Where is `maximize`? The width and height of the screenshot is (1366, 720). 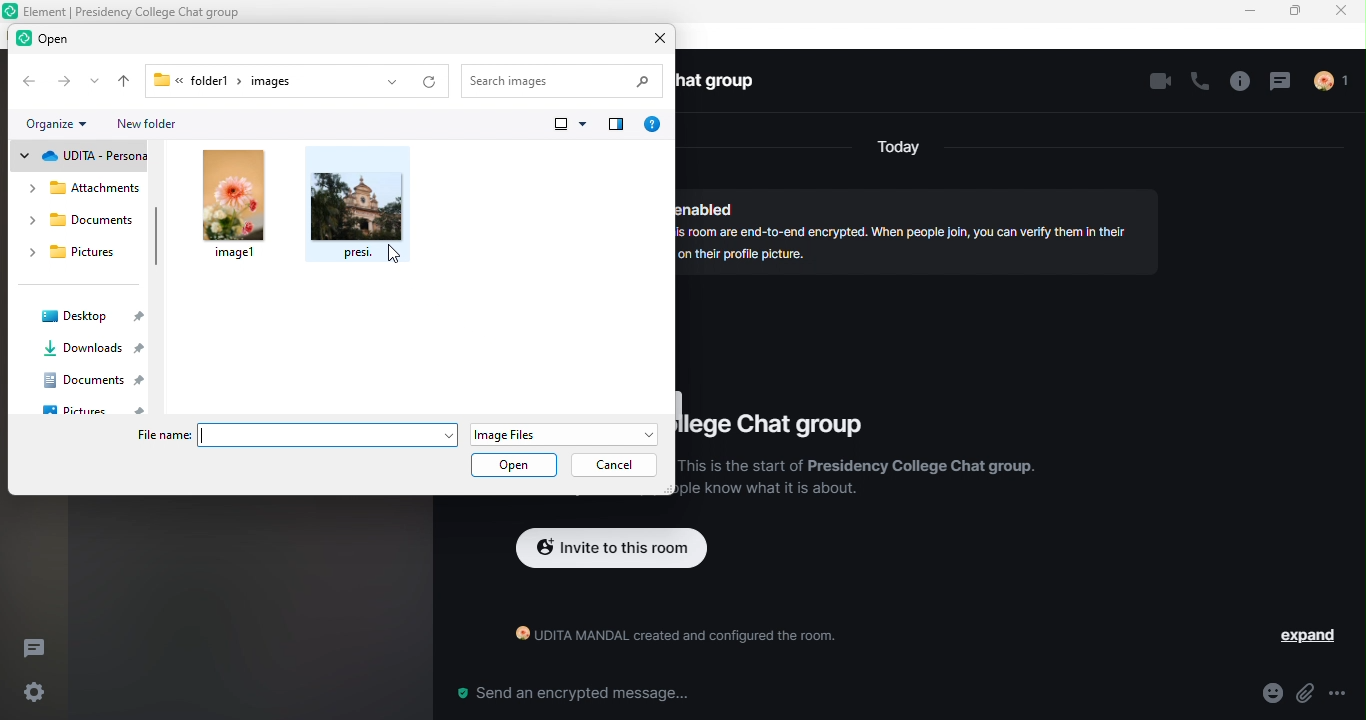
maximize is located at coordinates (1297, 13).